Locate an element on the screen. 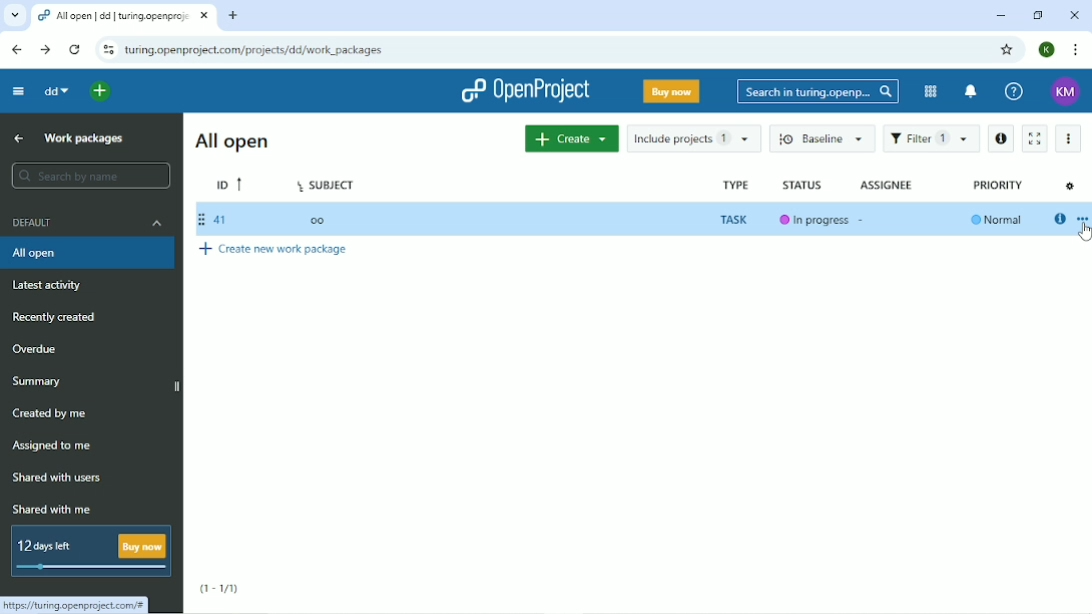 This screenshot has height=614, width=1092. Open quick add menu is located at coordinates (101, 93).